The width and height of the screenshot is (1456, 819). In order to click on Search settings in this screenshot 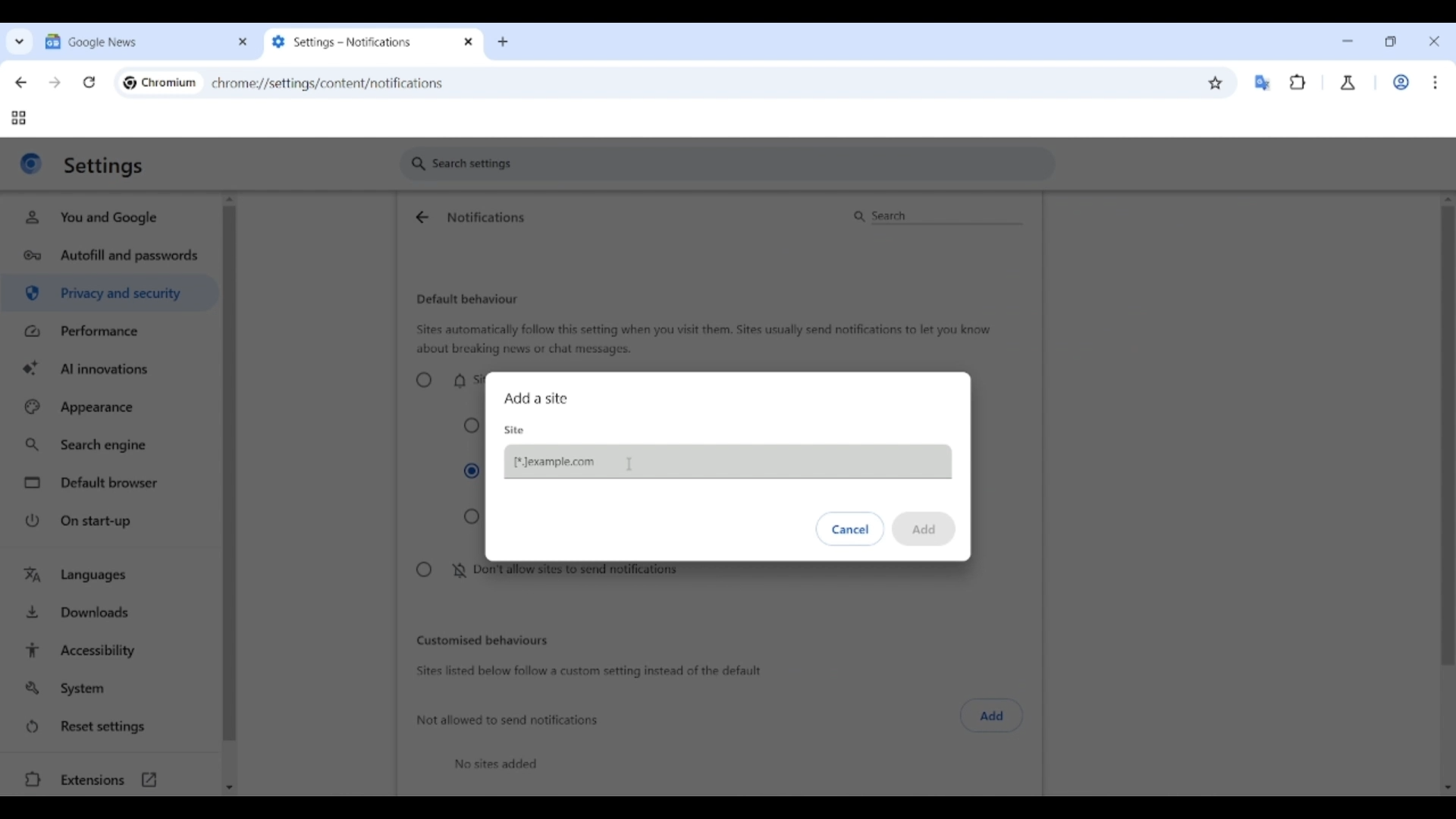, I will do `click(728, 164)`.